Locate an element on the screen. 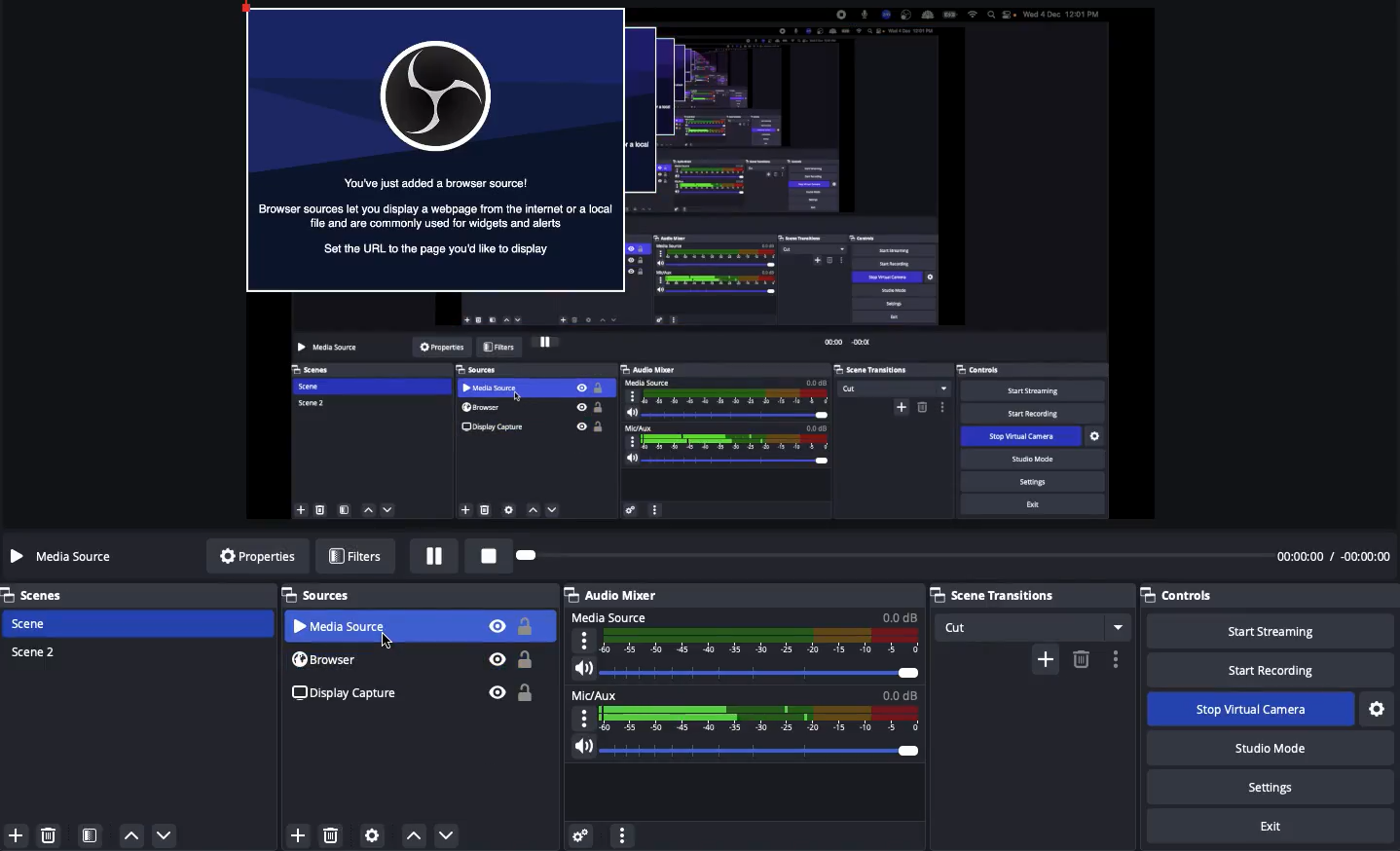   move down is located at coordinates (165, 833).